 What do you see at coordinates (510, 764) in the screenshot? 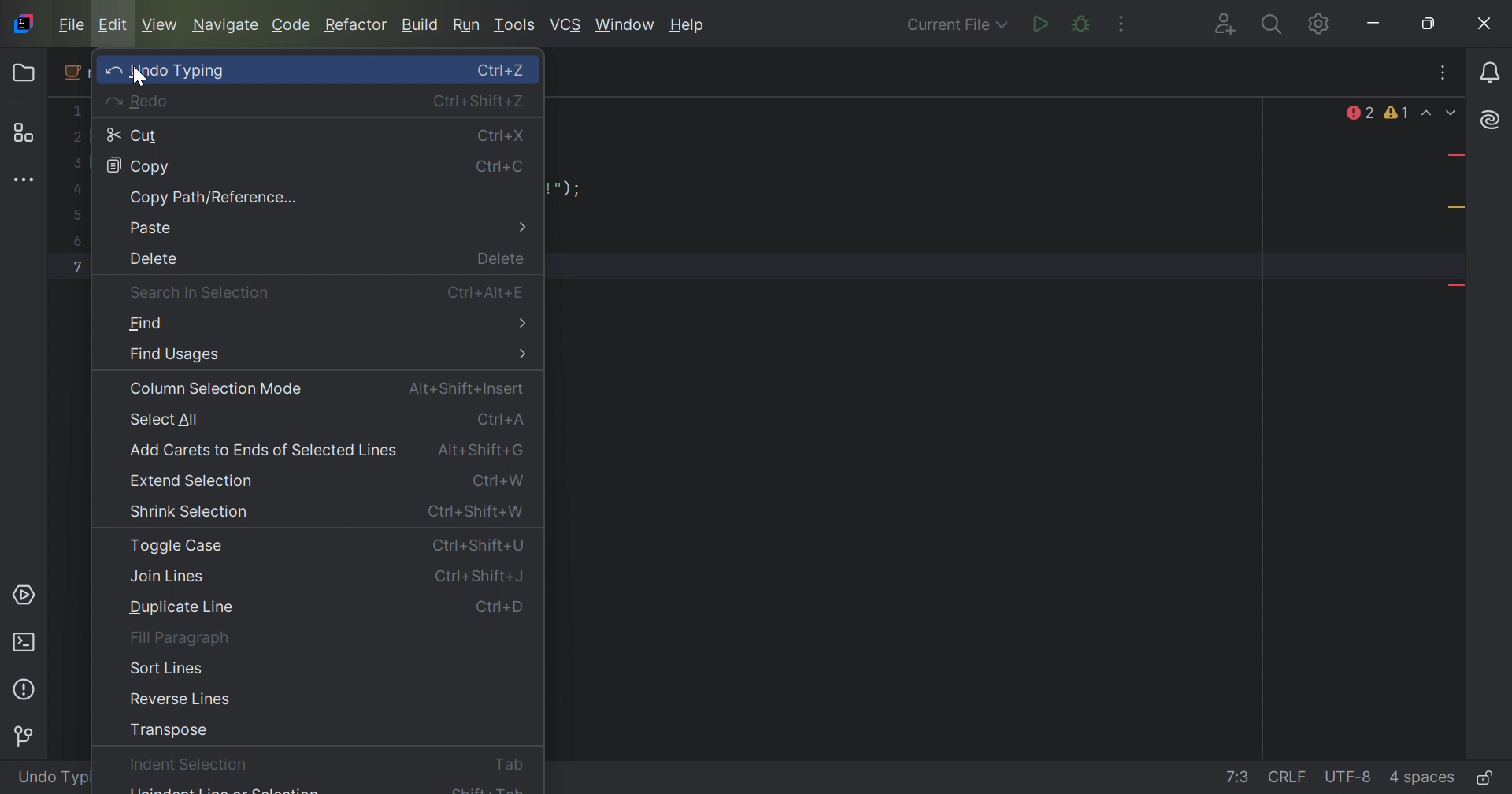
I see `Tab` at bounding box center [510, 764].